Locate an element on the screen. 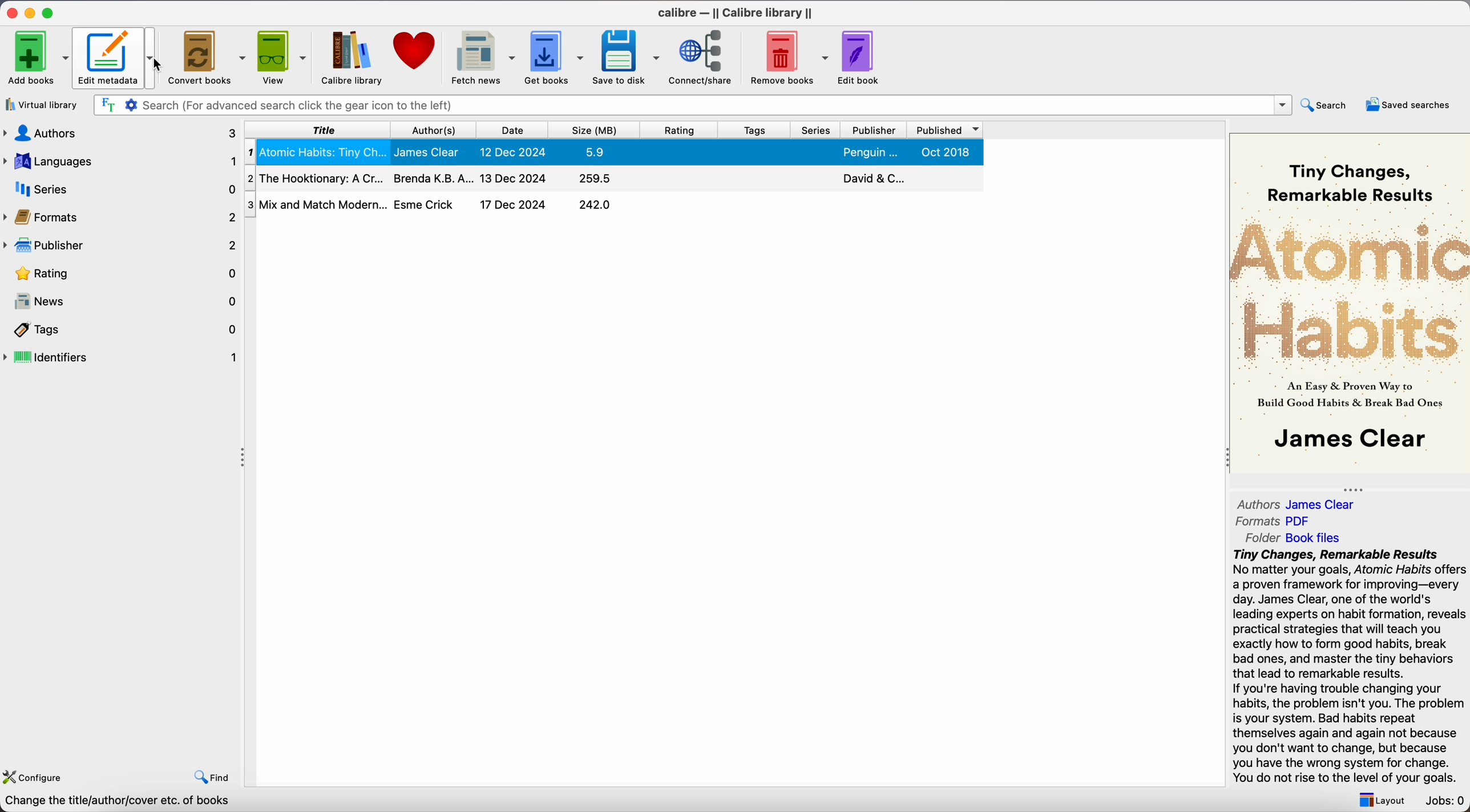 The width and height of the screenshot is (1470, 812). calibre library is located at coordinates (349, 57).